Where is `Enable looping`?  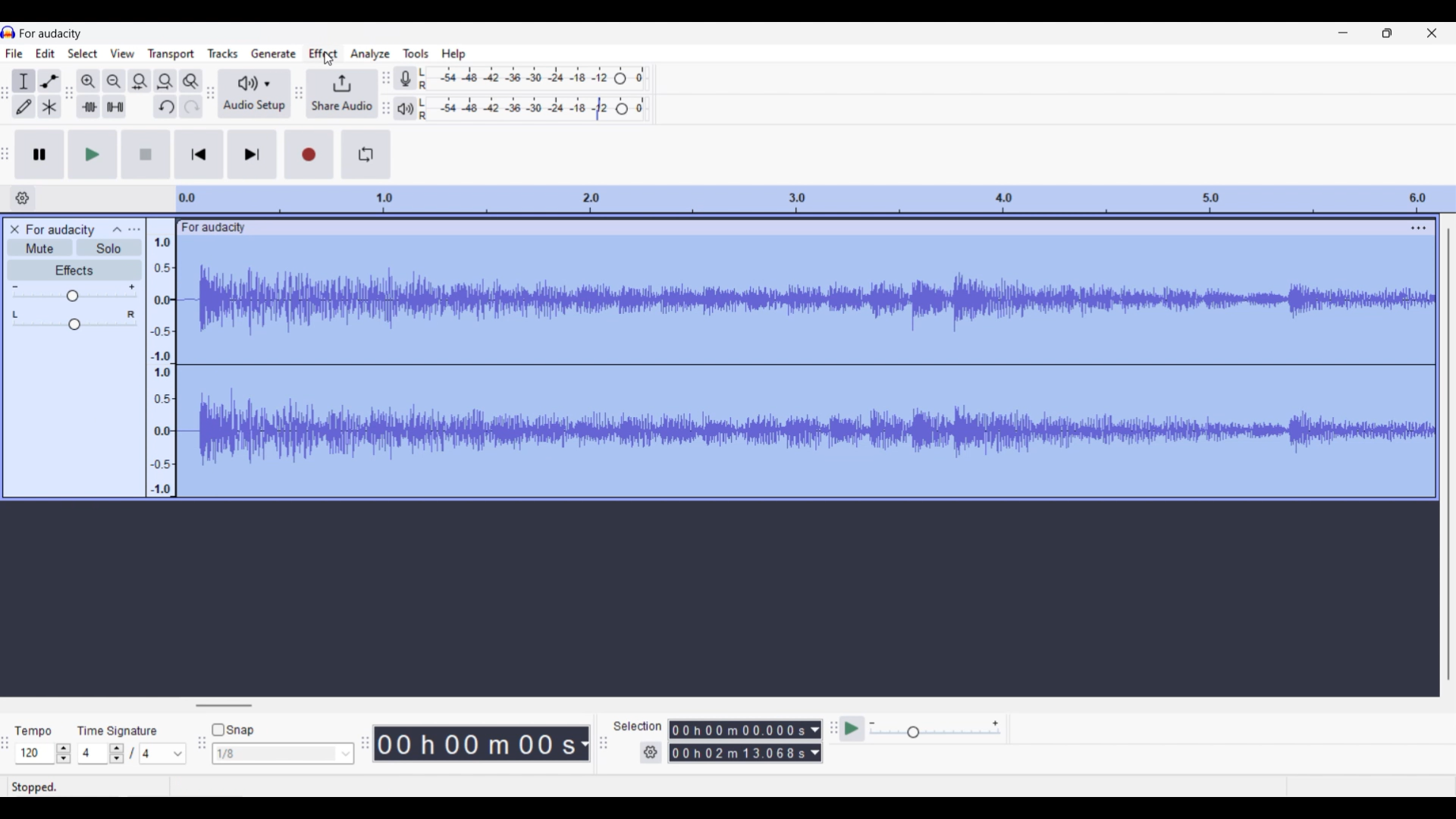 Enable looping is located at coordinates (366, 154).